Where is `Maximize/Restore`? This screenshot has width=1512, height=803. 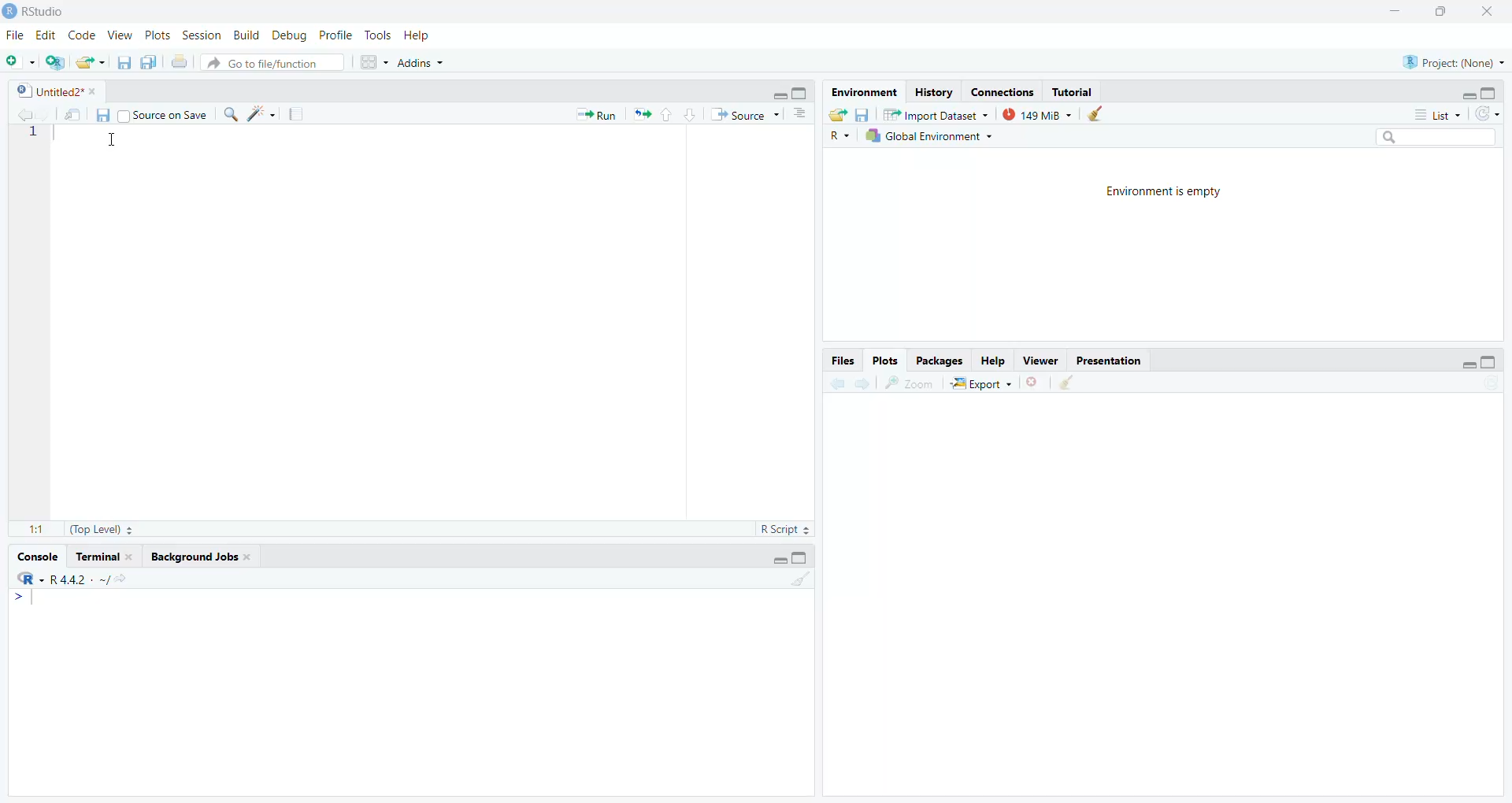 Maximize/Restore is located at coordinates (1490, 364).